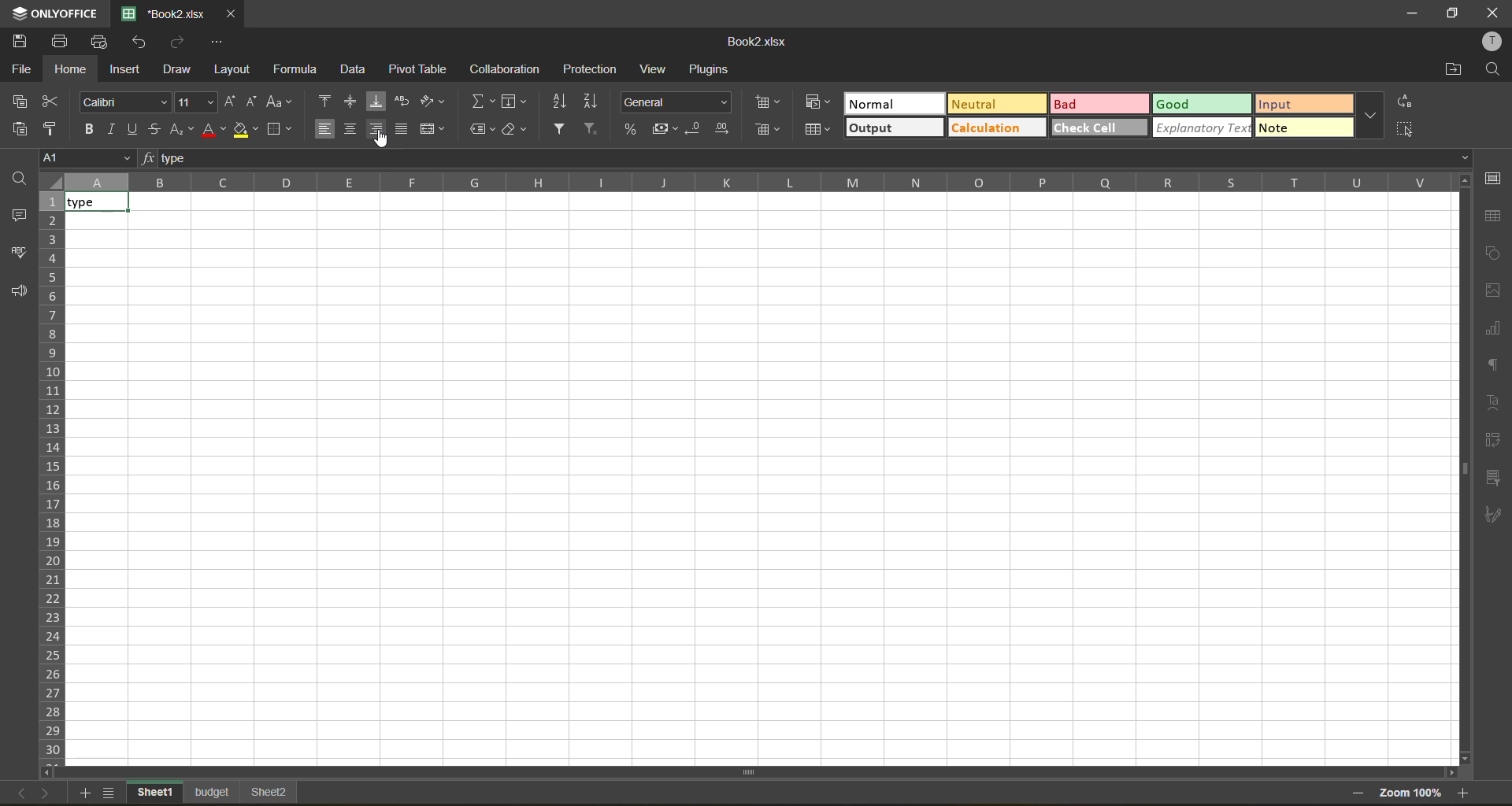  What do you see at coordinates (380, 102) in the screenshot?
I see `align bottom` at bounding box center [380, 102].